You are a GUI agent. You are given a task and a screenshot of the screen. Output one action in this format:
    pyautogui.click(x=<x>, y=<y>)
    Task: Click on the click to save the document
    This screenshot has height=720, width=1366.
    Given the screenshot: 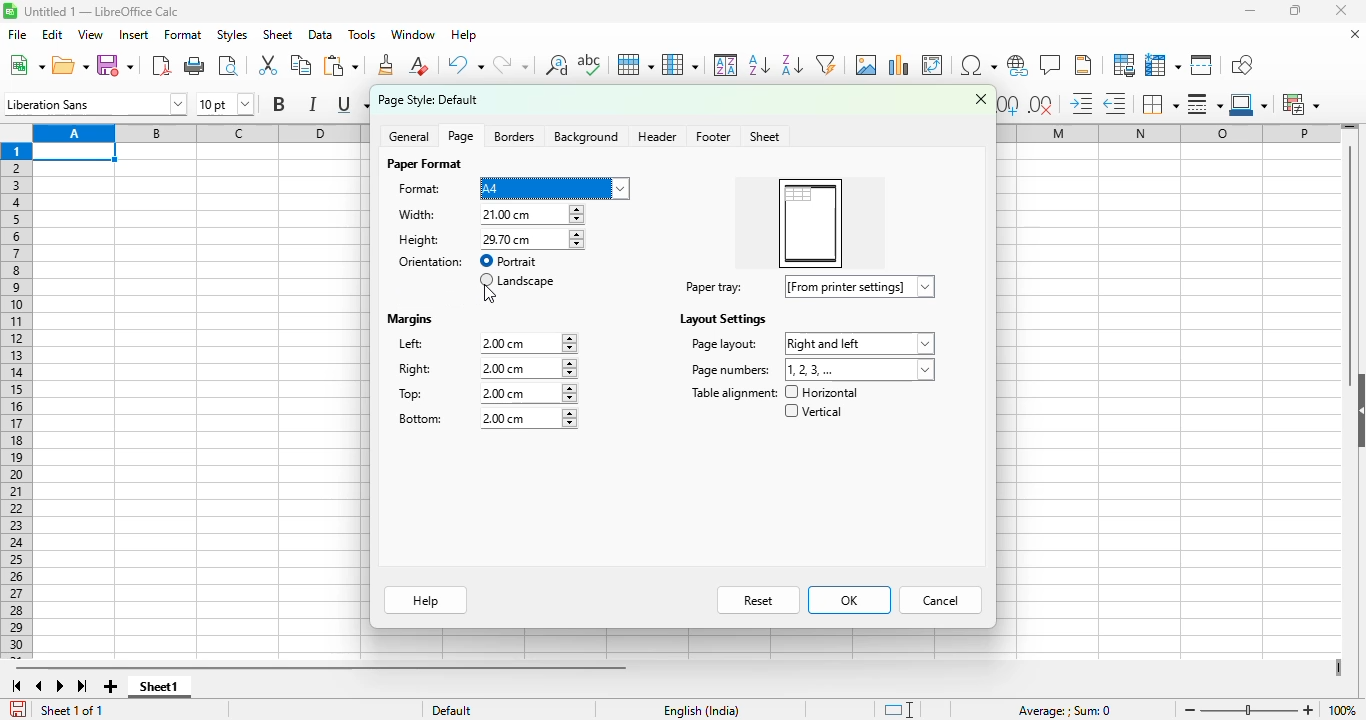 What is the action you would take?
    pyautogui.click(x=19, y=709)
    